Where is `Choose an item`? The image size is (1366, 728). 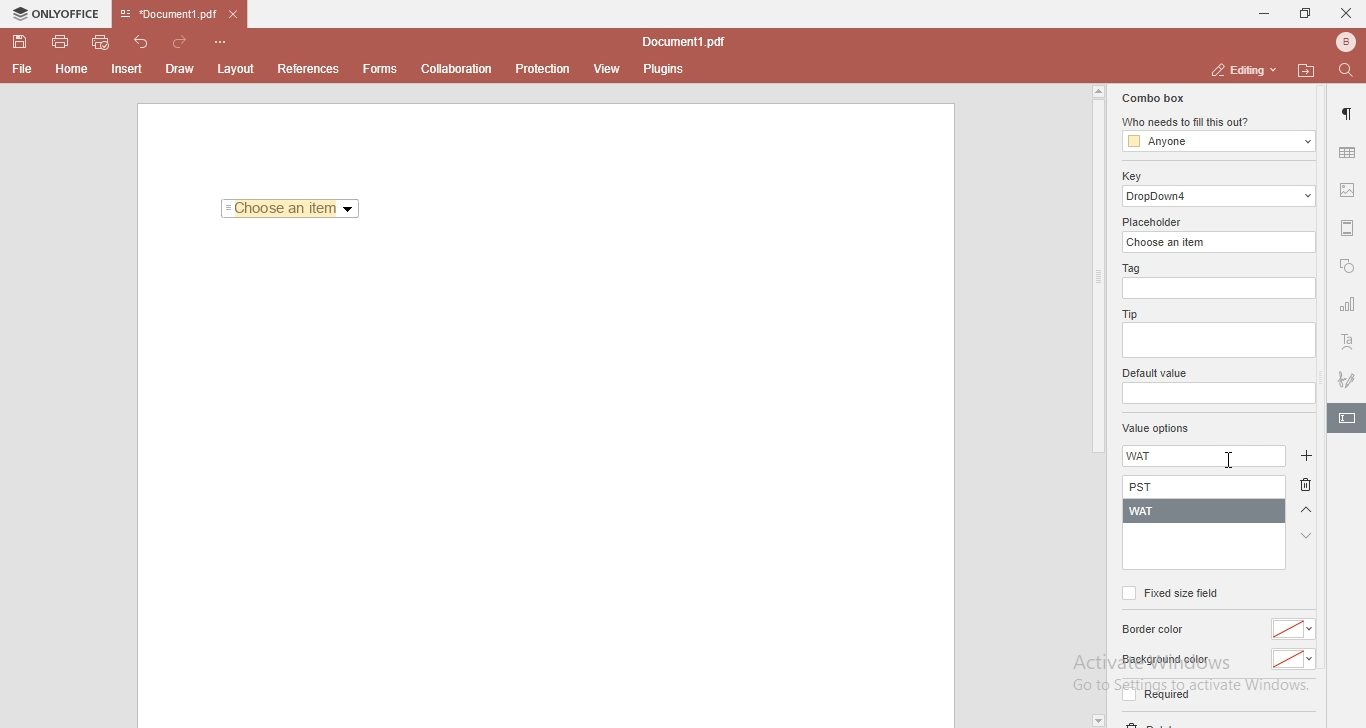
Choose an item is located at coordinates (291, 210).